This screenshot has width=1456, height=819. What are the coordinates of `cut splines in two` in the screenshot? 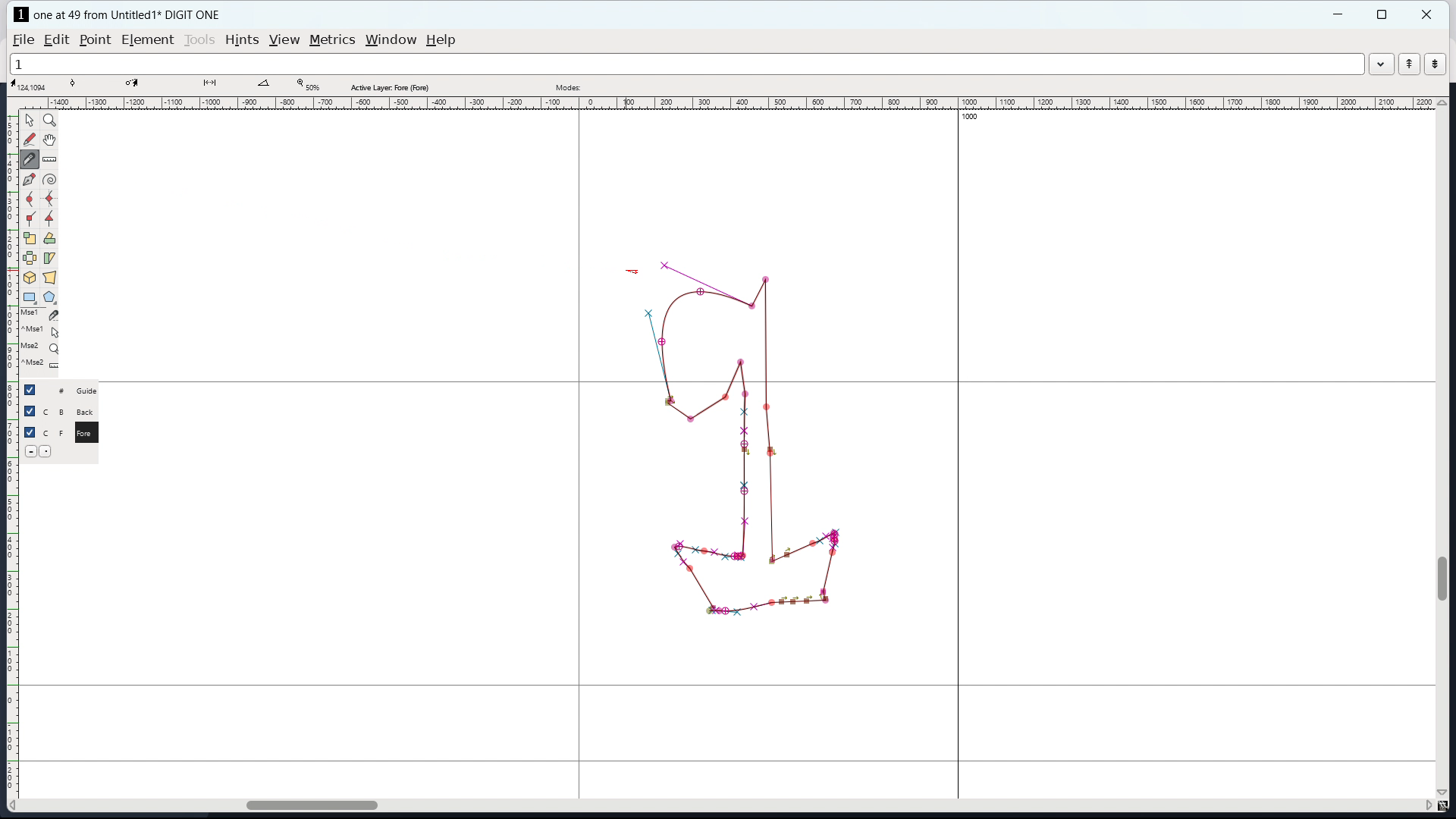 It's located at (32, 161).